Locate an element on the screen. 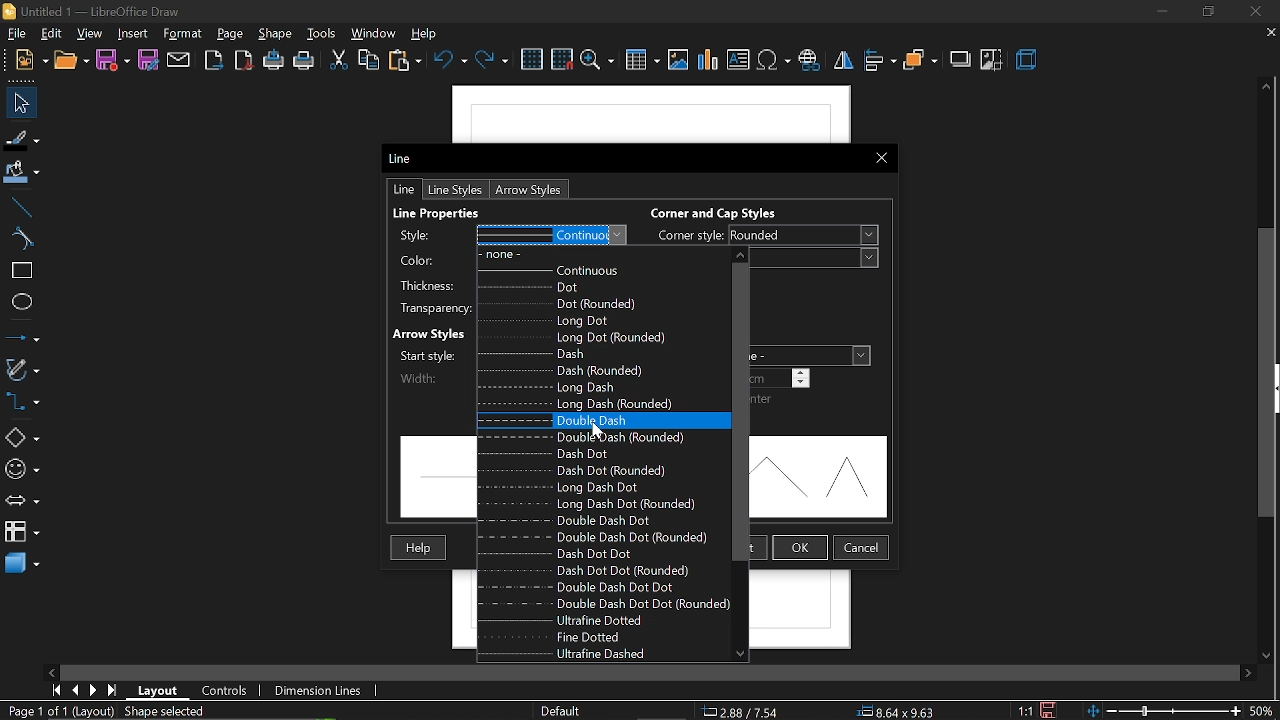  copy is located at coordinates (370, 60).